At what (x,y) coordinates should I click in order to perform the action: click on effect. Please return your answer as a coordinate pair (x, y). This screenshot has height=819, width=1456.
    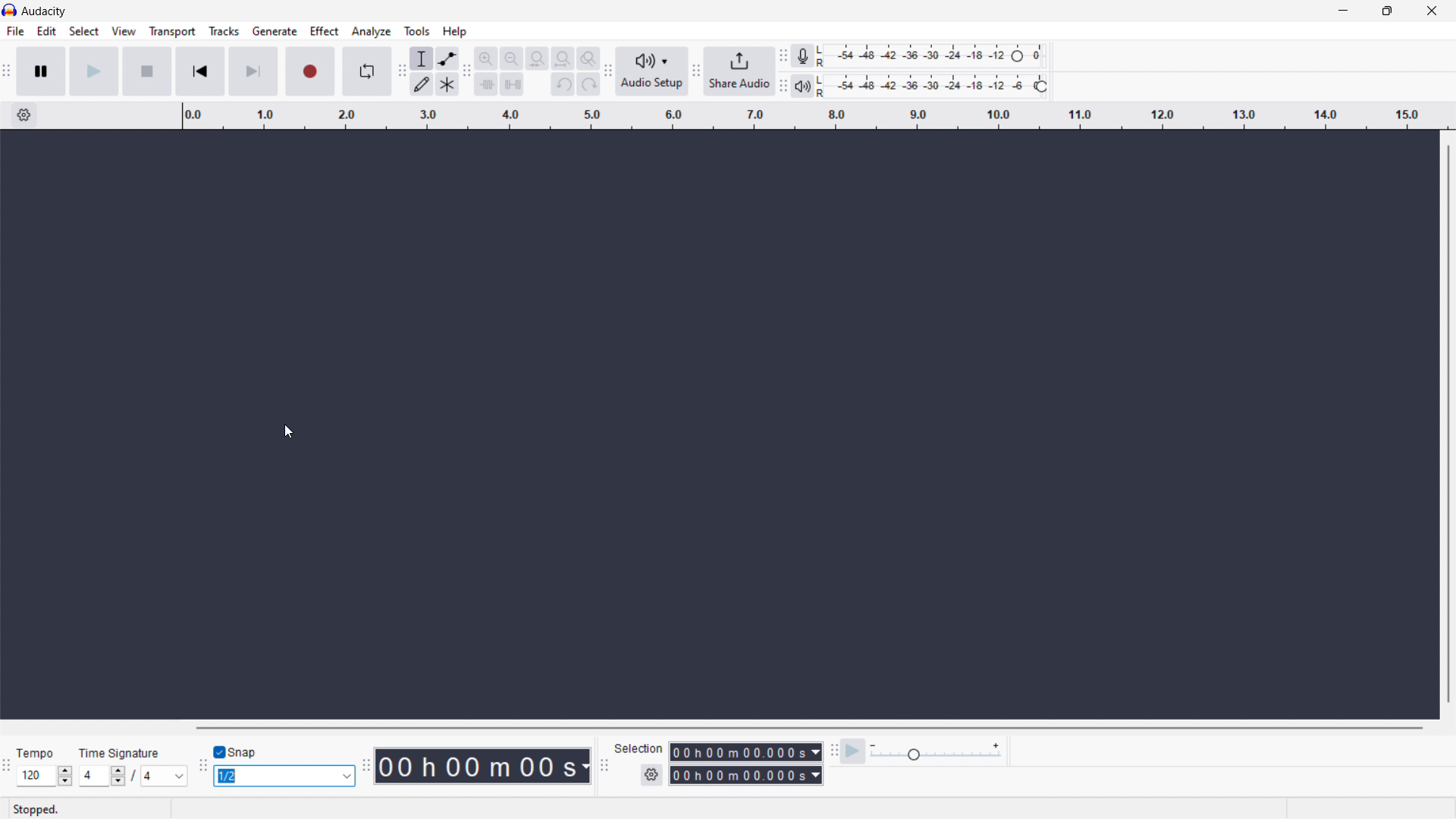
    Looking at the image, I should click on (325, 31).